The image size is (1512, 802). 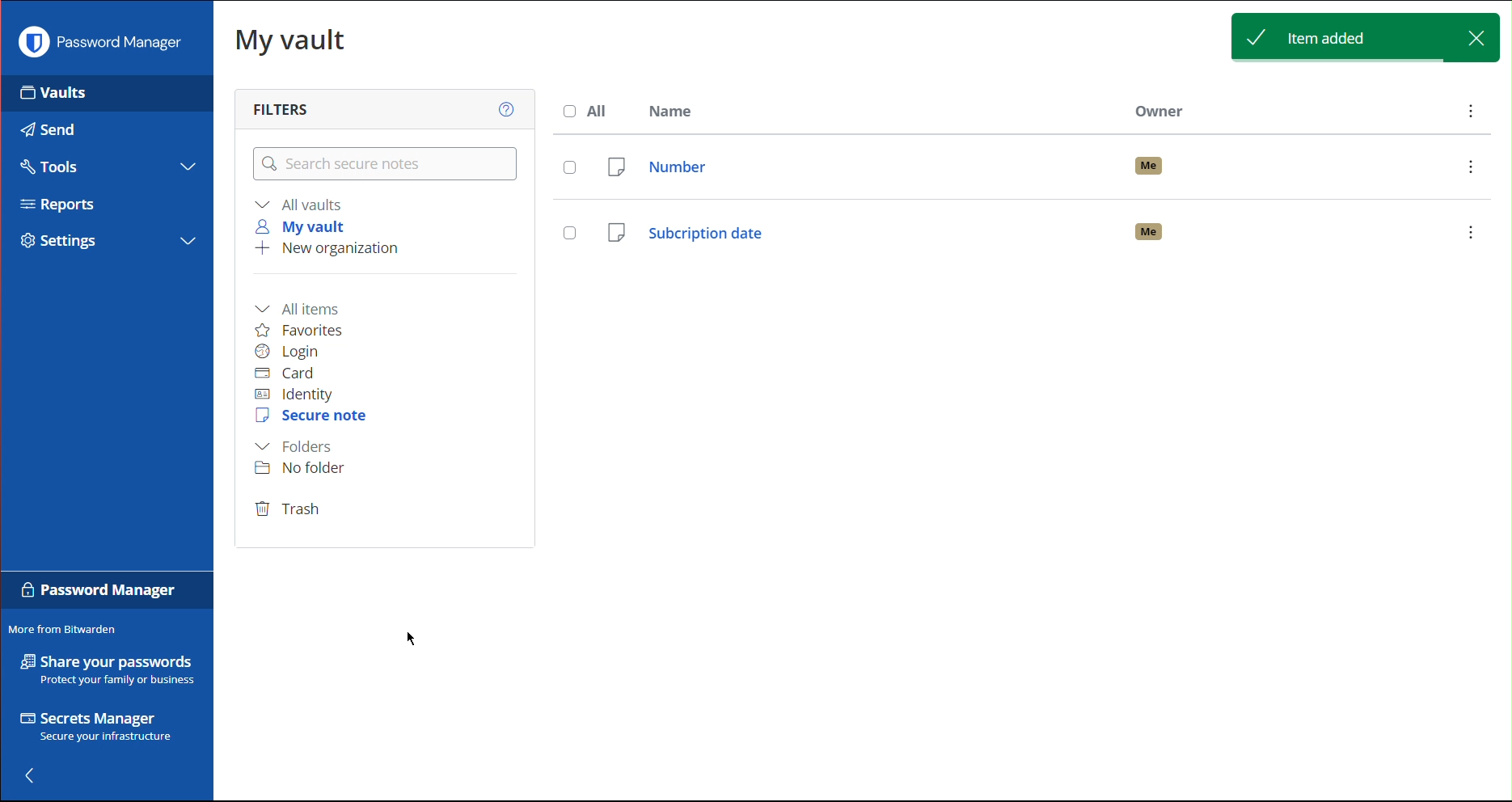 What do you see at coordinates (104, 42) in the screenshot?
I see `Password Manager` at bounding box center [104, 42].